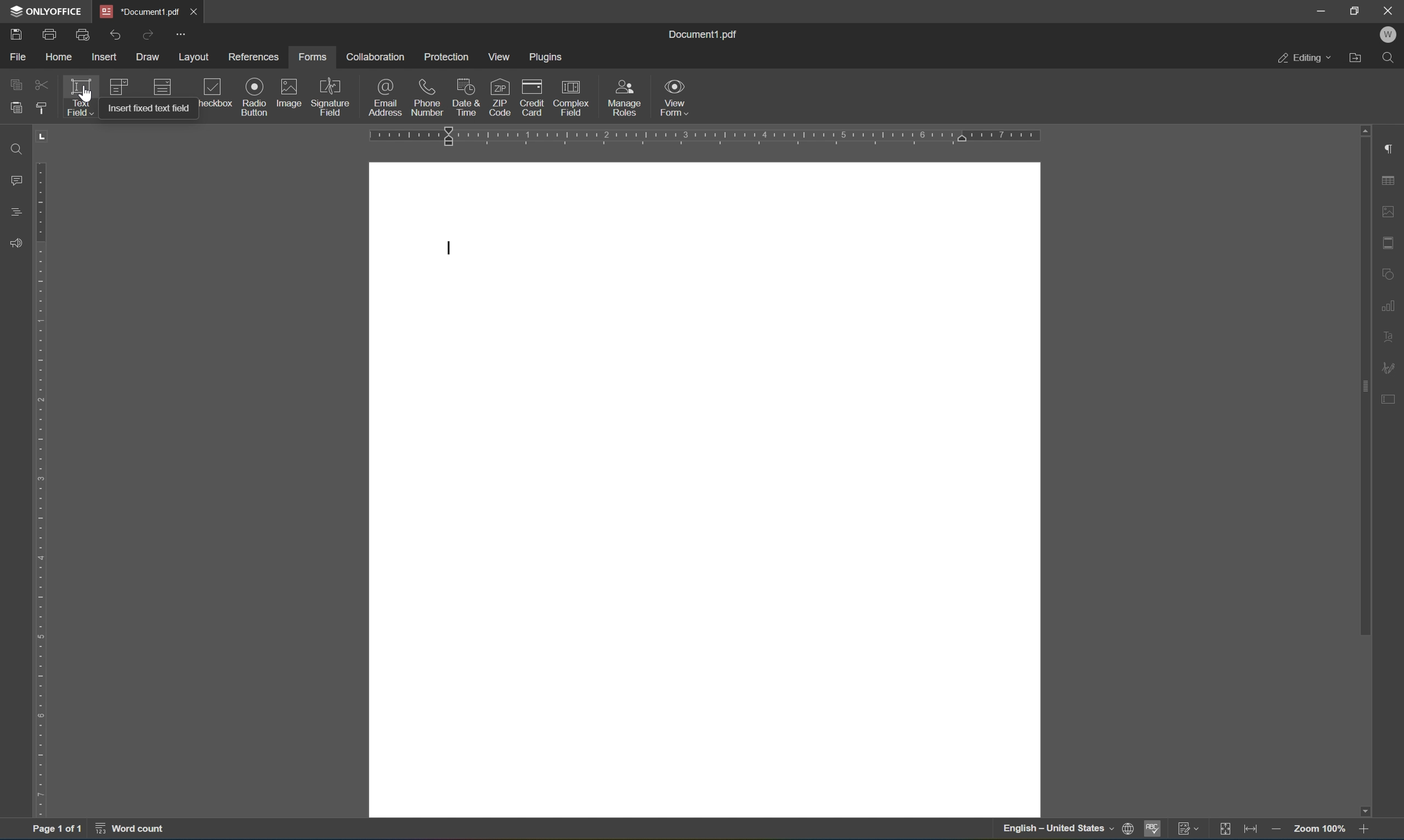 Image resolution: width=1404 pixels, height=840 pixels. I want to click on scroll up, so click(1362, 128).